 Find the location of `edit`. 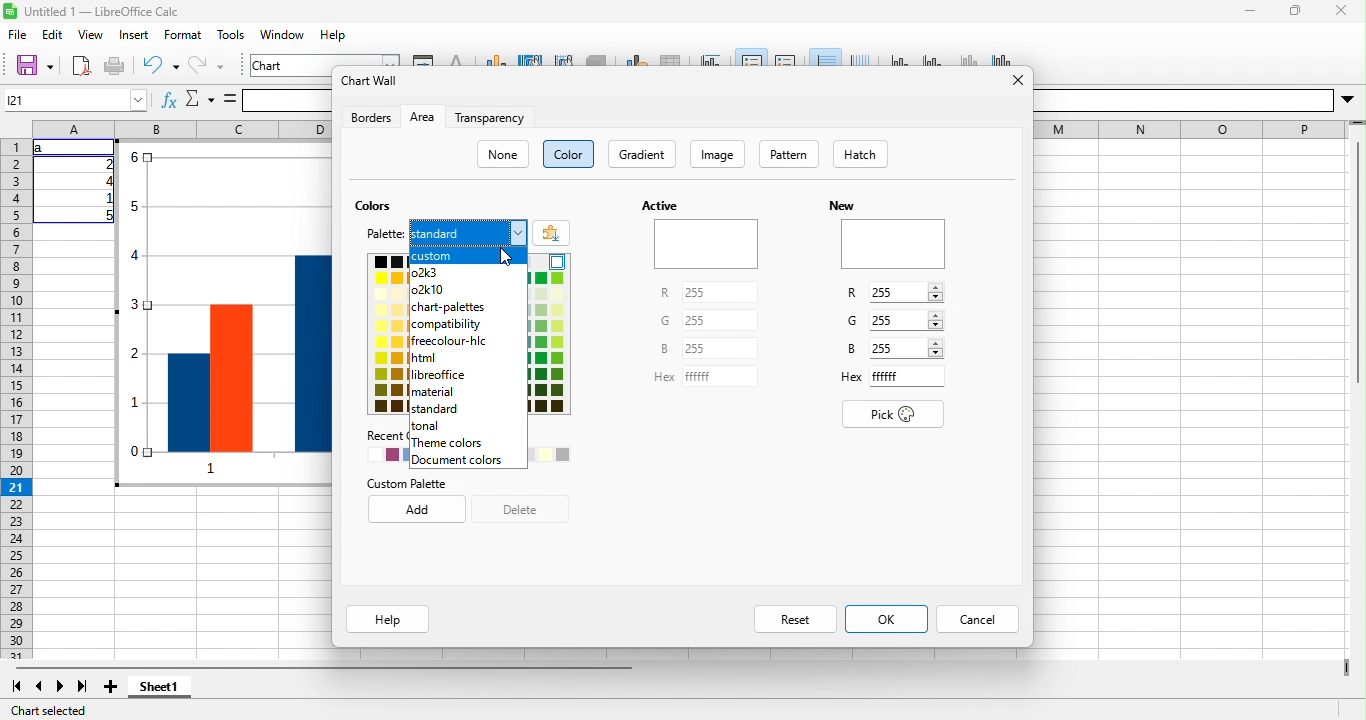

edit is located at coordinates (53, 34).